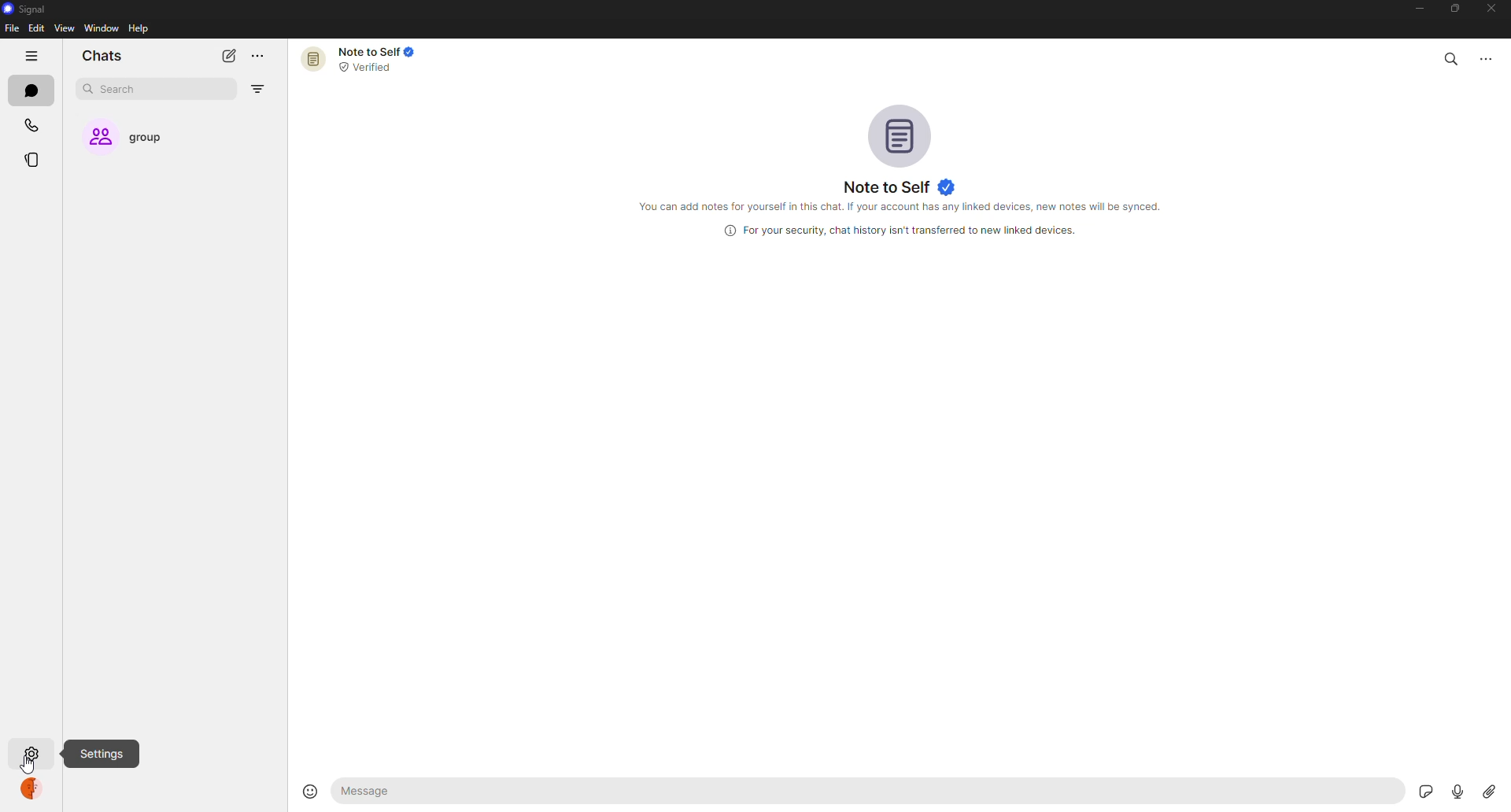  I want to click on note to self, so click(900, 186).